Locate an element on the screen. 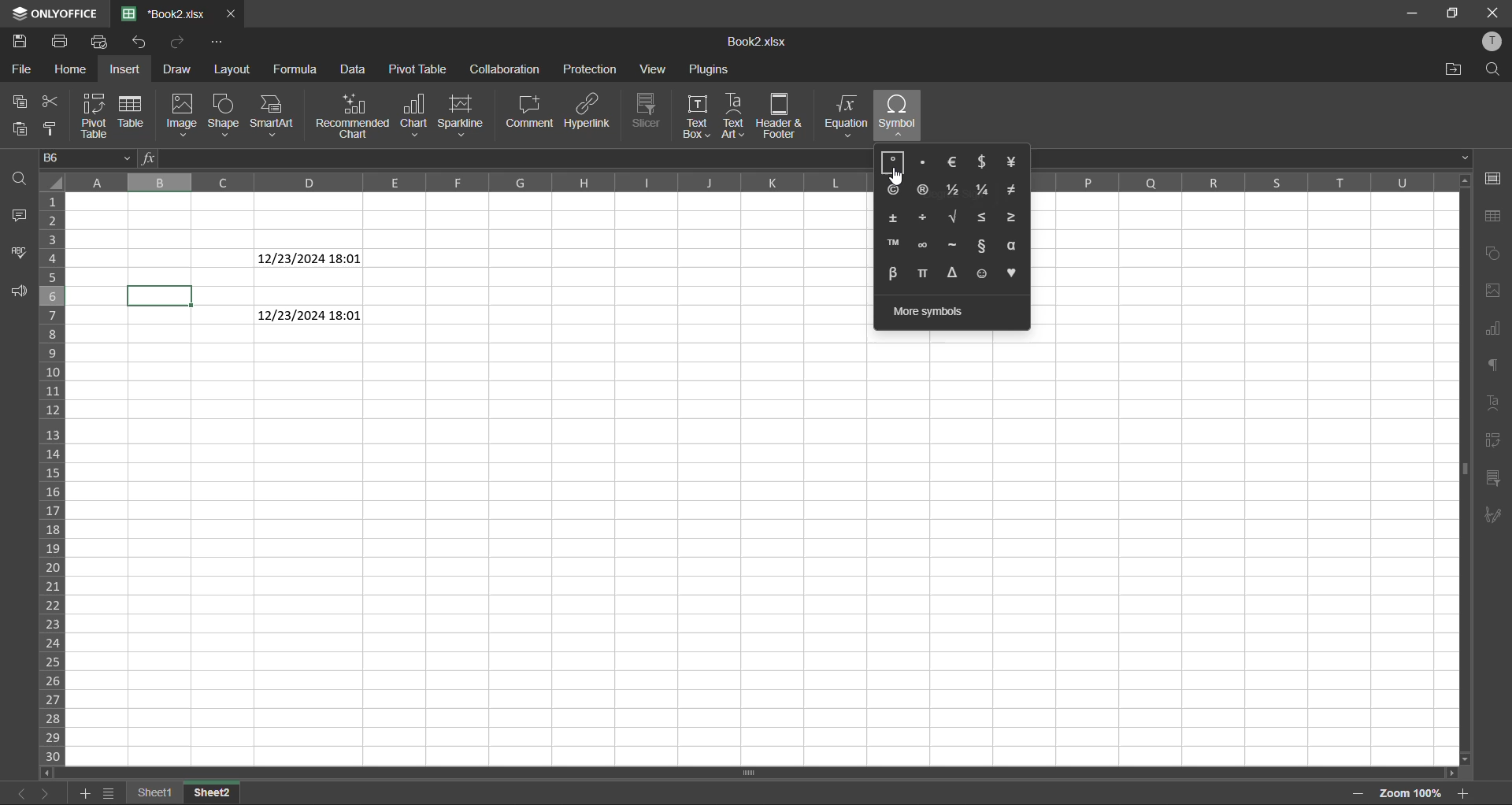  less than or equal to is located at coordinates (983, 217).